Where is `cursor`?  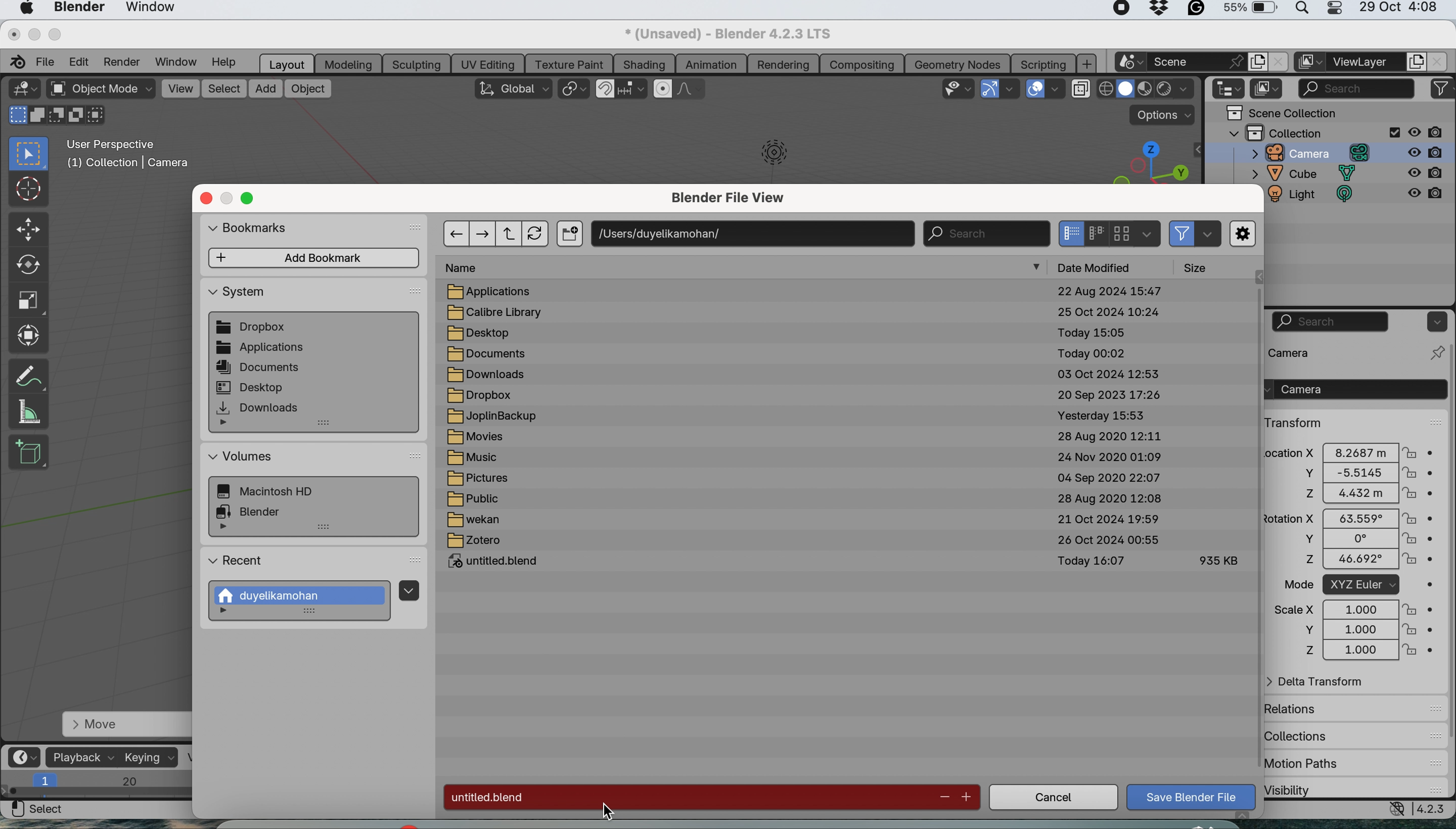 cursor is located at coordinates (604, 812).